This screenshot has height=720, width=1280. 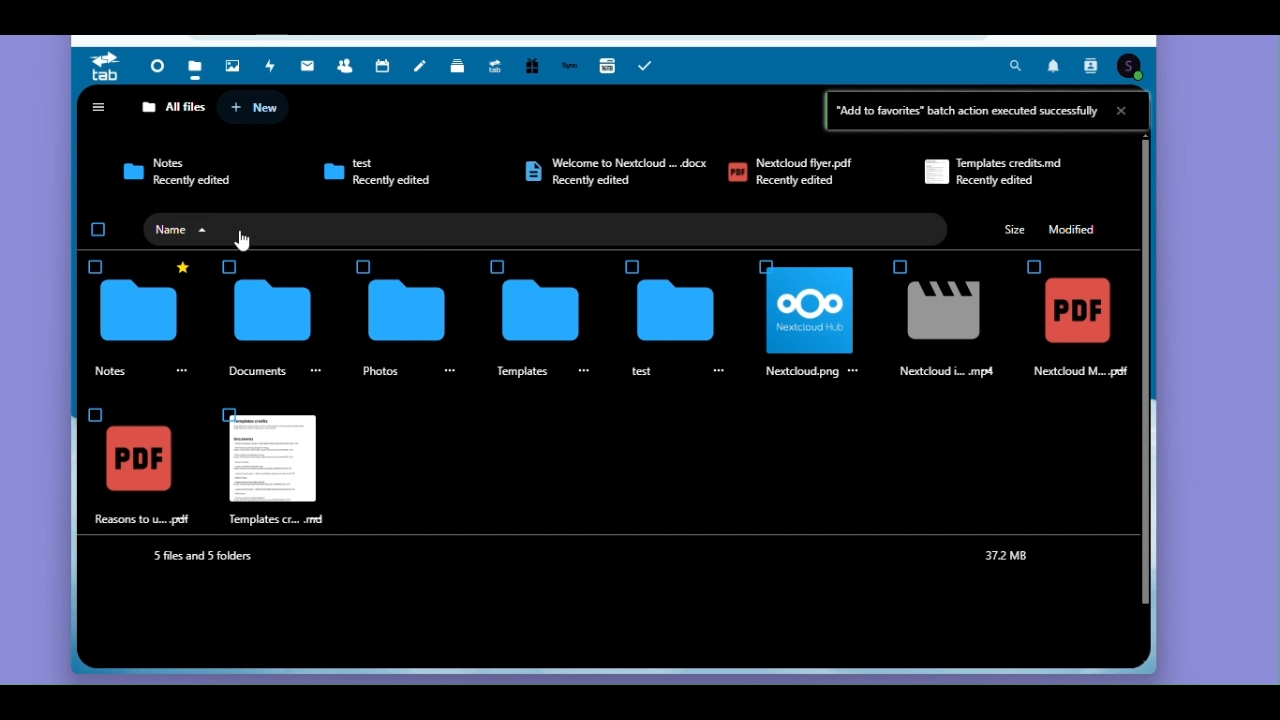 I want to click on Arrange my name, so click(x=192, y=228).